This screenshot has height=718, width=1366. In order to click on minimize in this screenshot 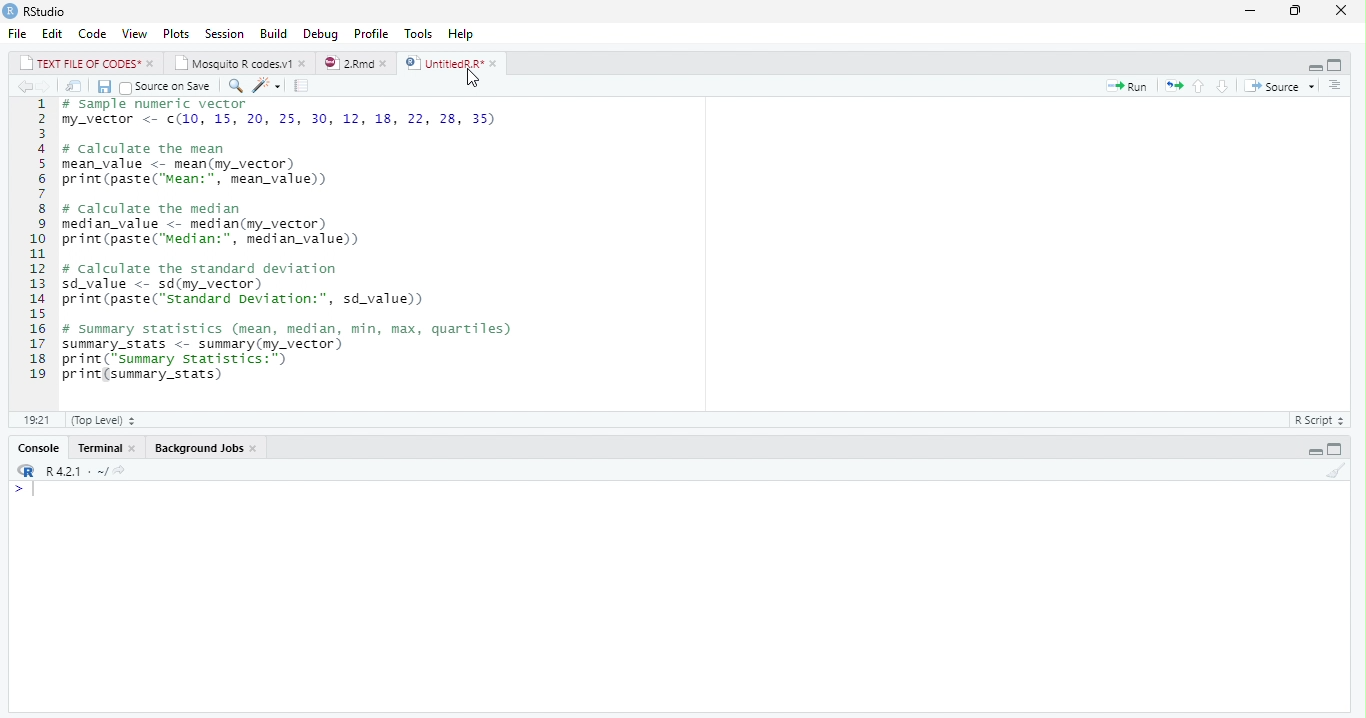, I will do `click(1314, 451)`.